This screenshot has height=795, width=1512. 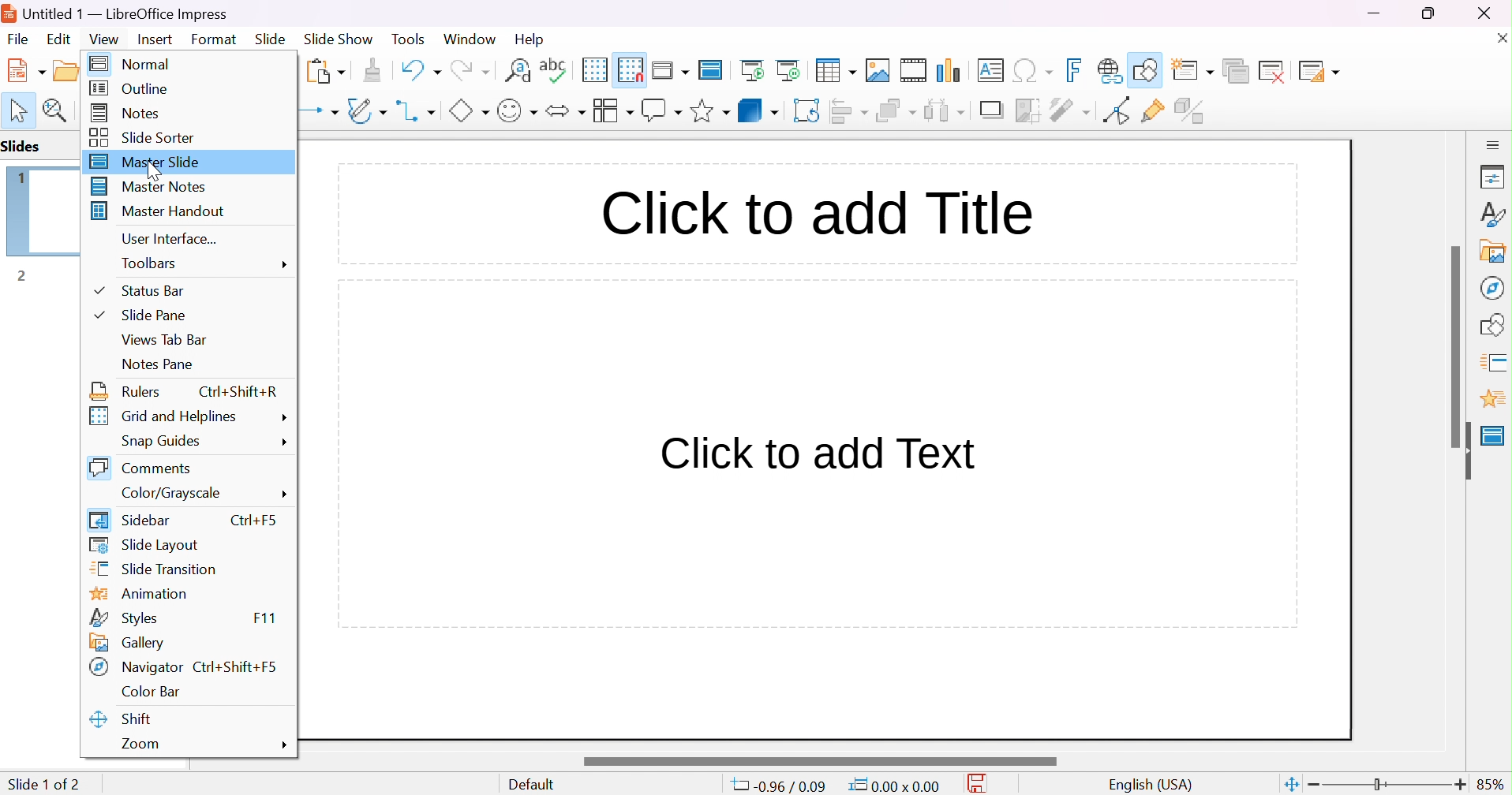 I want to click on normal, so click(x=133, y=65).